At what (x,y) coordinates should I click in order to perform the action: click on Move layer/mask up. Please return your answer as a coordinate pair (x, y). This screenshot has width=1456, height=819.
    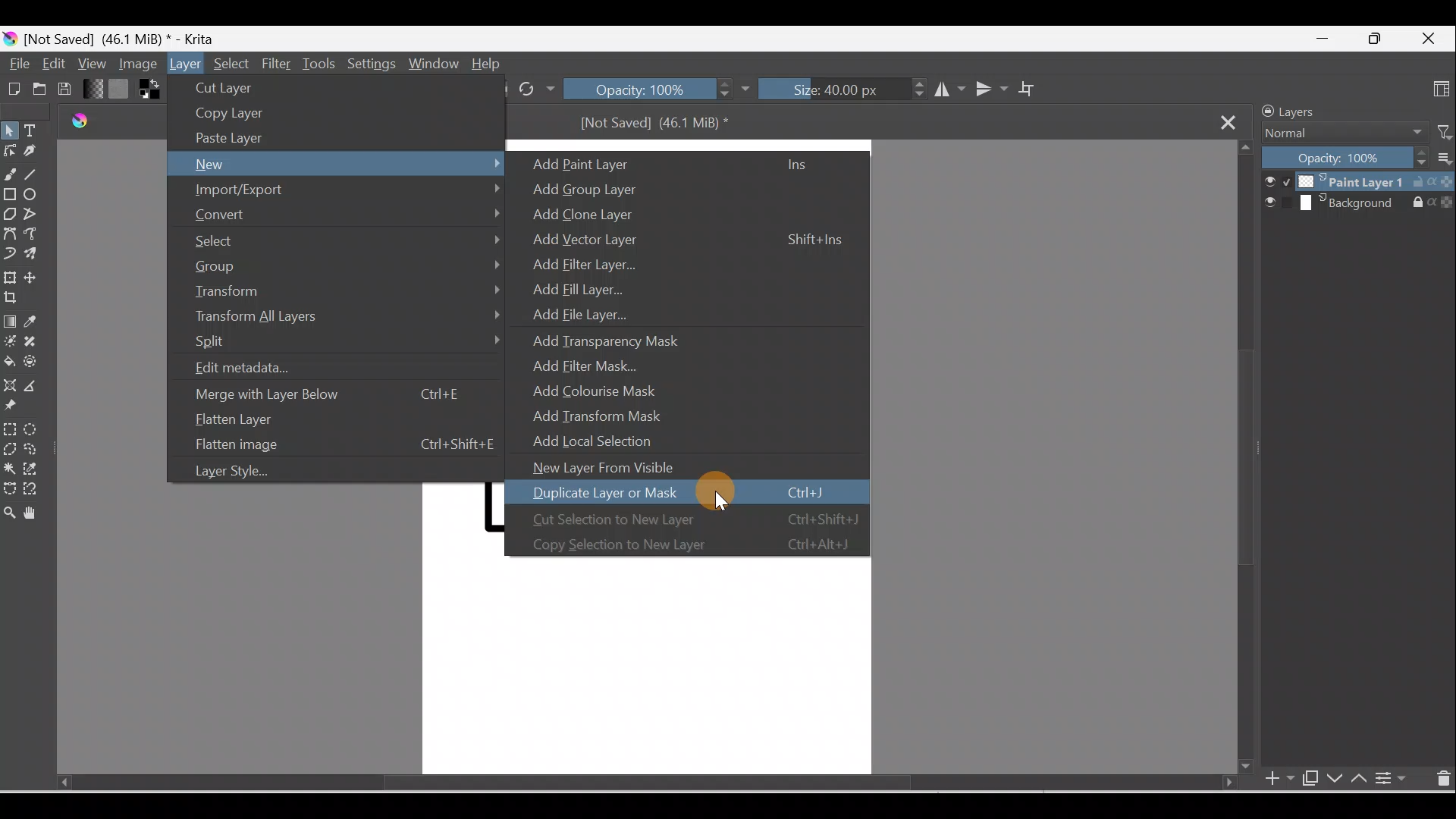
    Looking at the image, I should click on (1362, 780).